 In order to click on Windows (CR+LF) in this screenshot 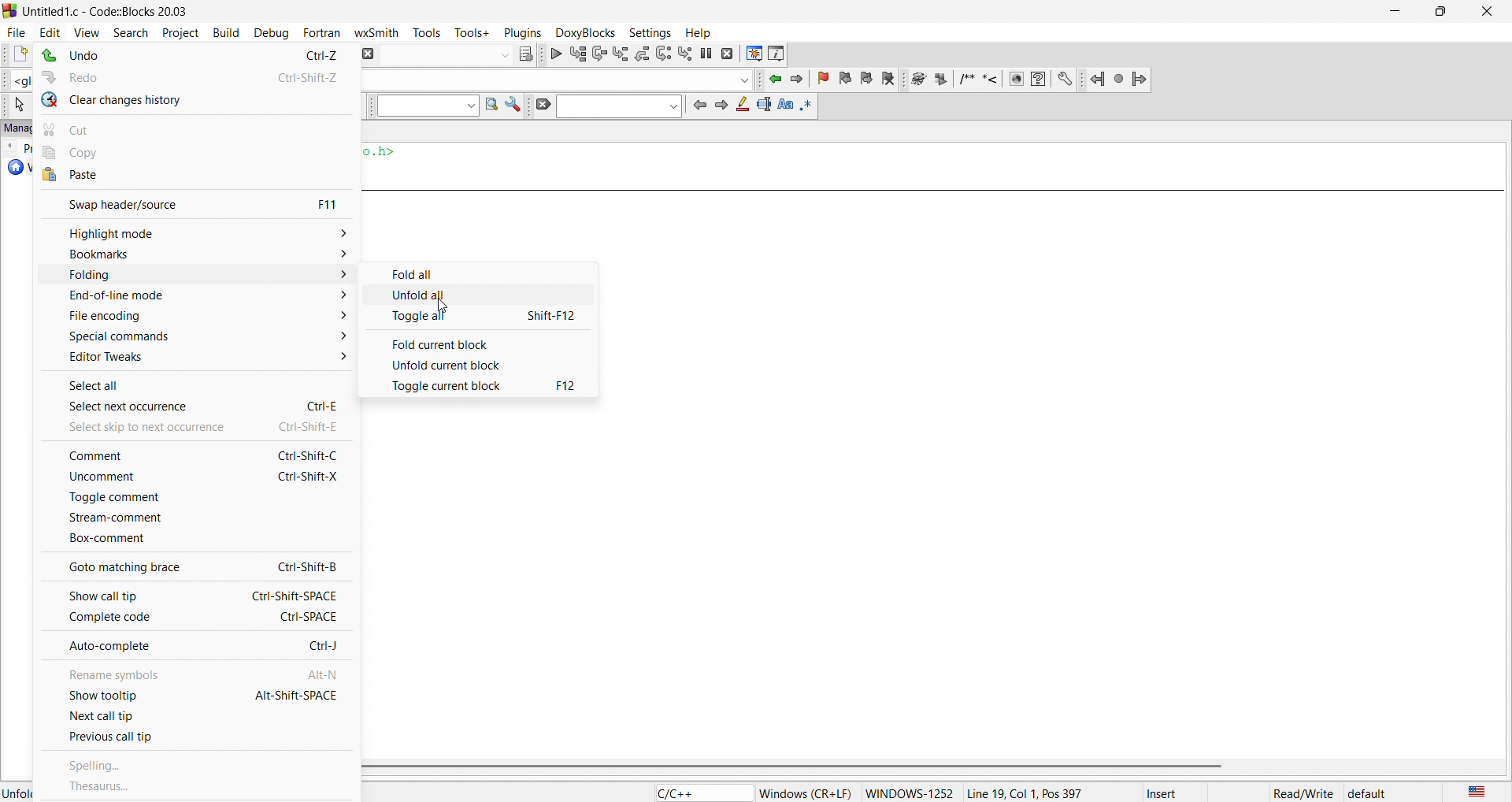, I will do `click(806, 793)`.